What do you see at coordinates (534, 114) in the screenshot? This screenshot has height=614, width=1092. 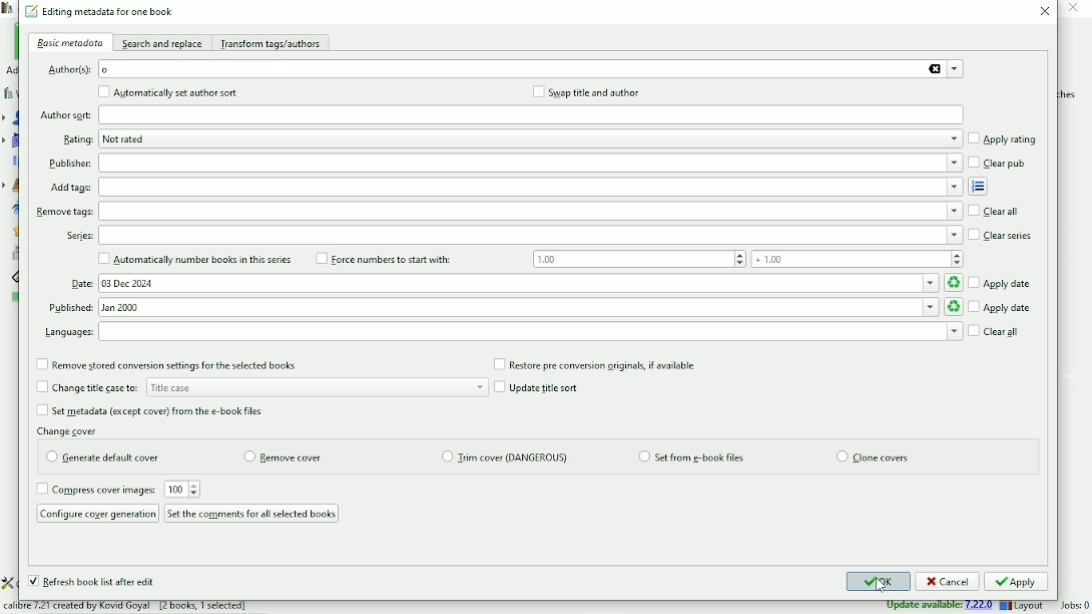 I see `Author sort input` at bounding box center [534, 114].